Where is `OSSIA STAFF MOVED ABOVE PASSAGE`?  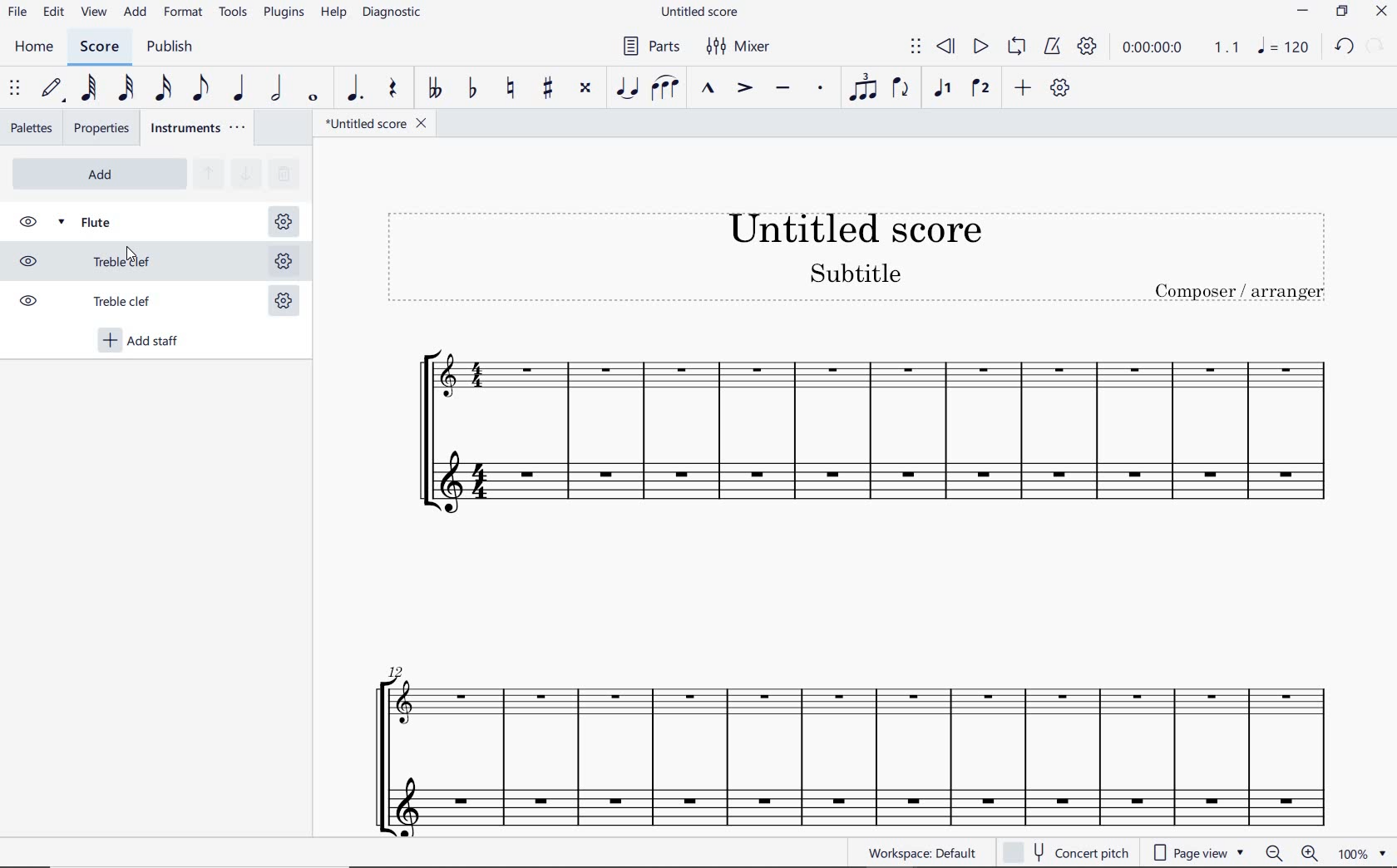
OSSIA STAFF MOVED ABOVE PASSAGE is located at coordinates (873, 372).